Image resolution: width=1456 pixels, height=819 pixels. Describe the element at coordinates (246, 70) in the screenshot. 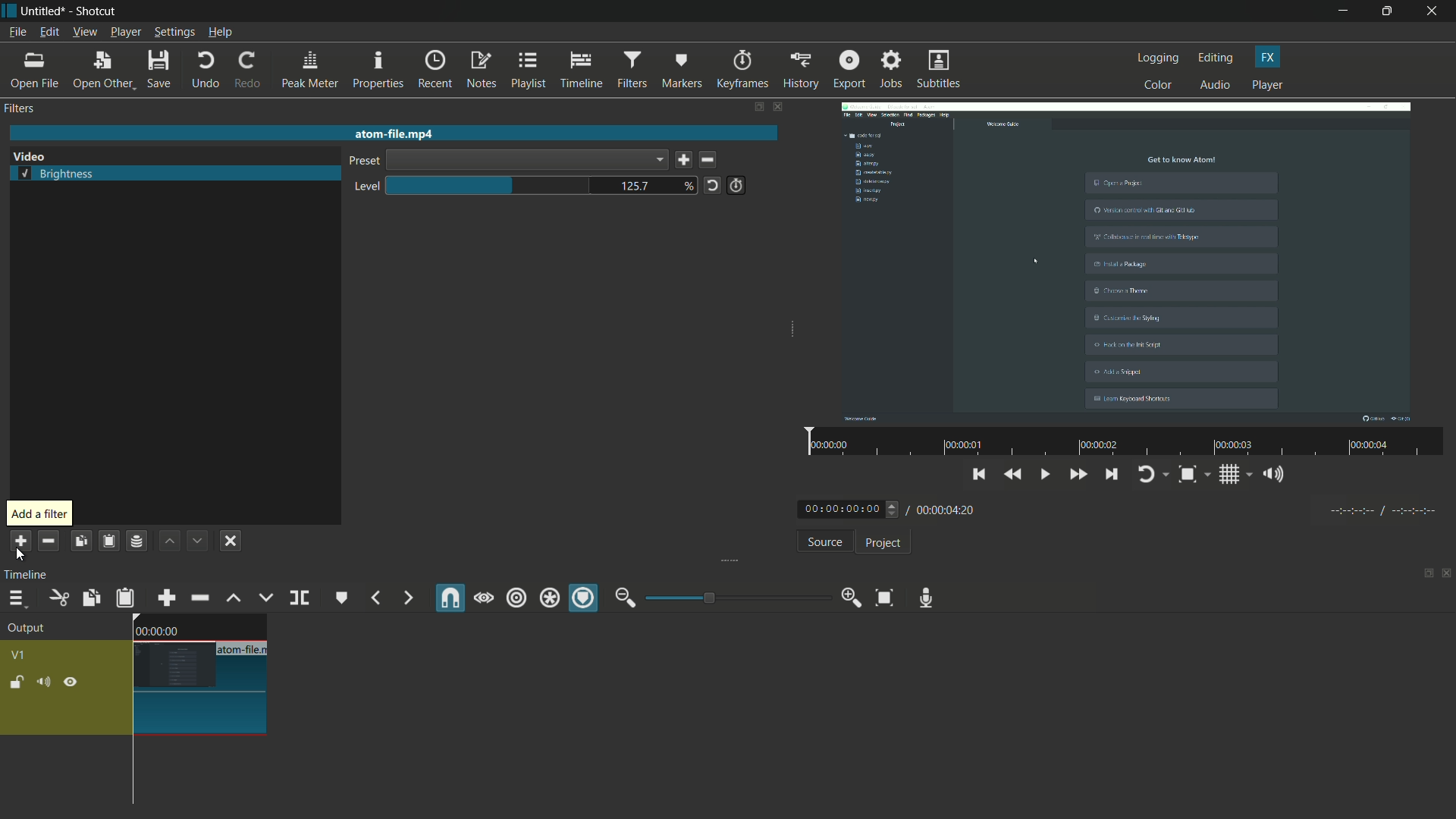

I see `redo` at that location.